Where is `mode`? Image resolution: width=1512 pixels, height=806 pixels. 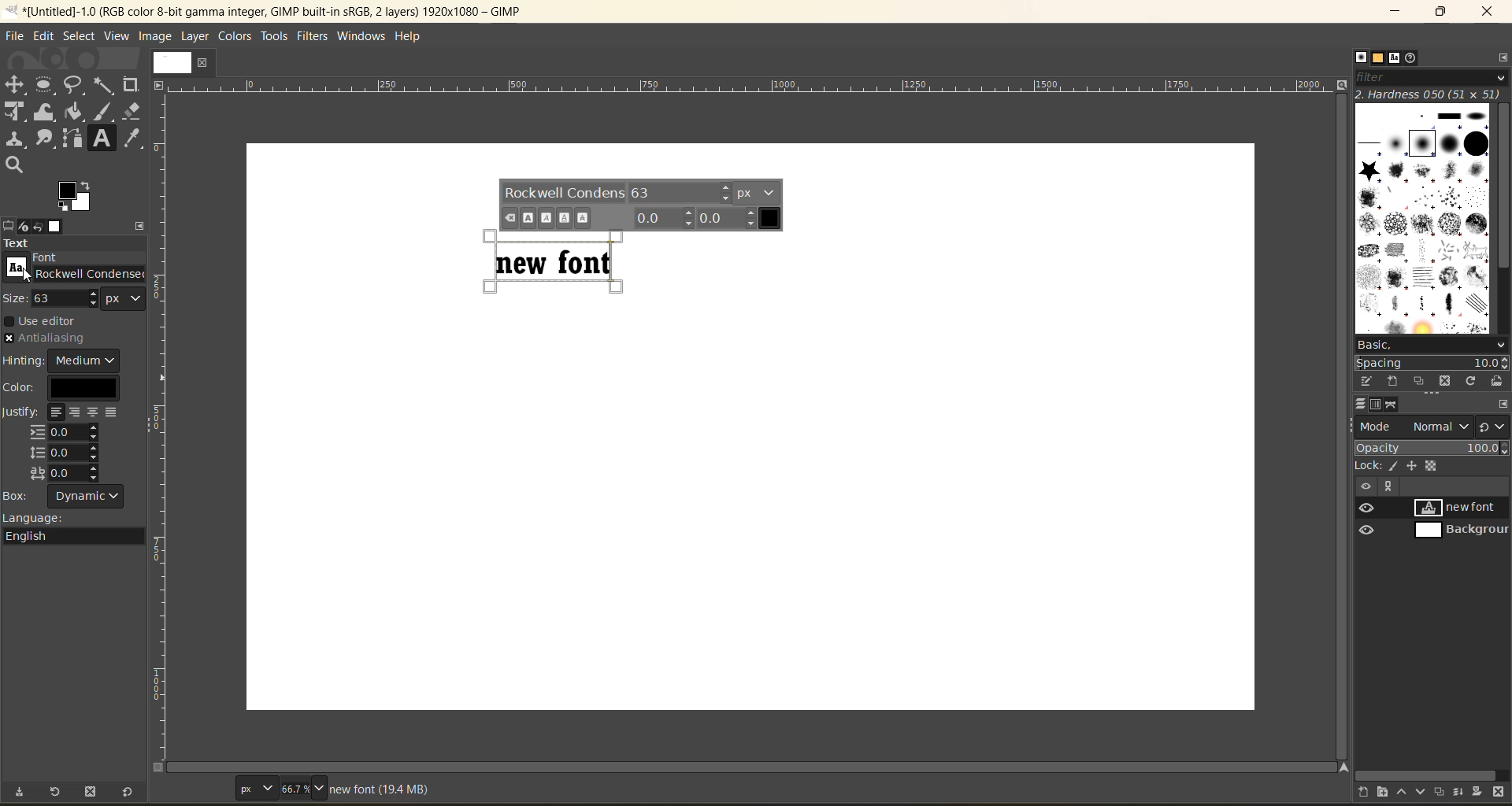 mode is located at coordinates (1412, 427).